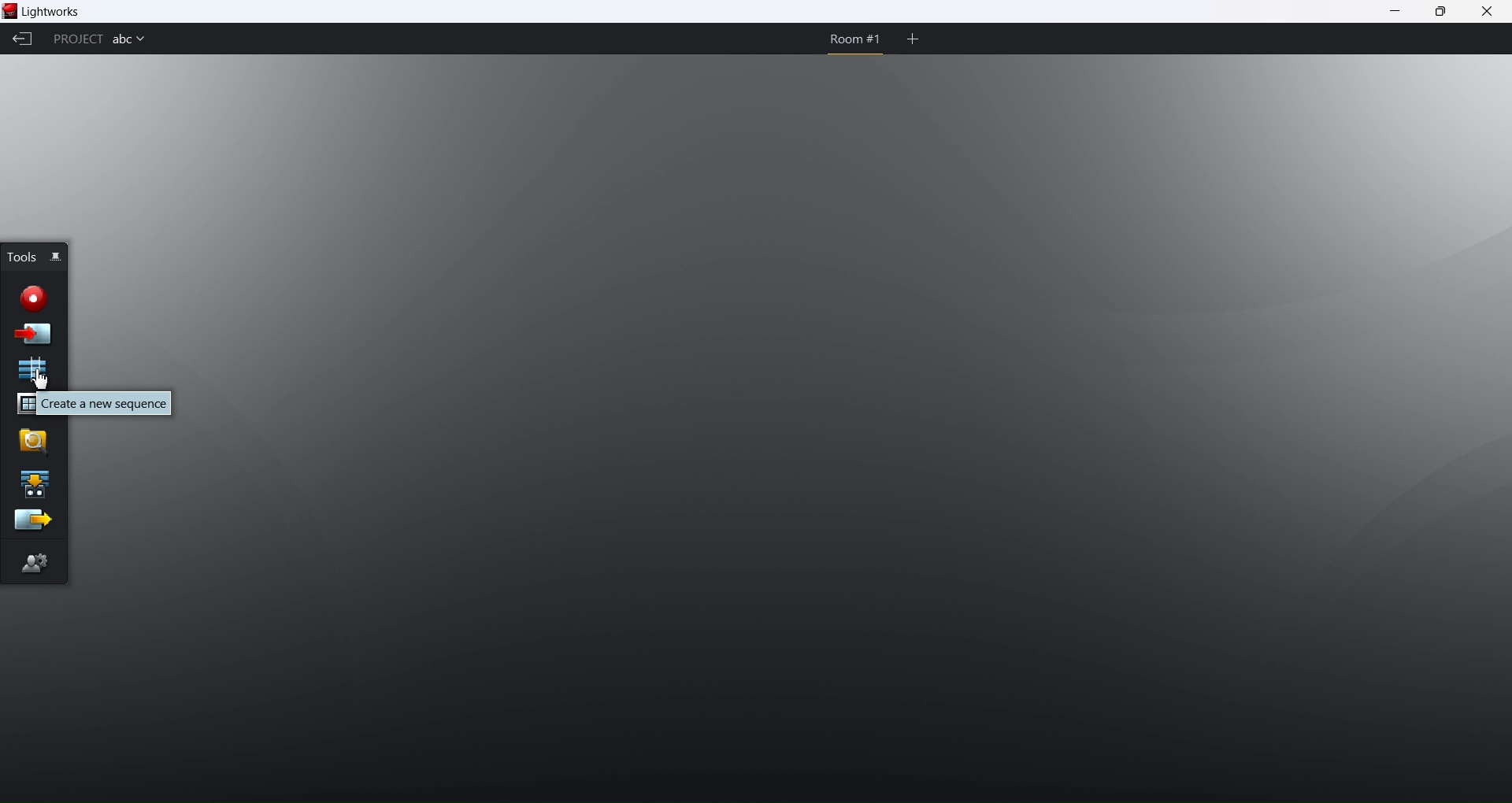  I want to click on editor preferences, so click(35, 564).